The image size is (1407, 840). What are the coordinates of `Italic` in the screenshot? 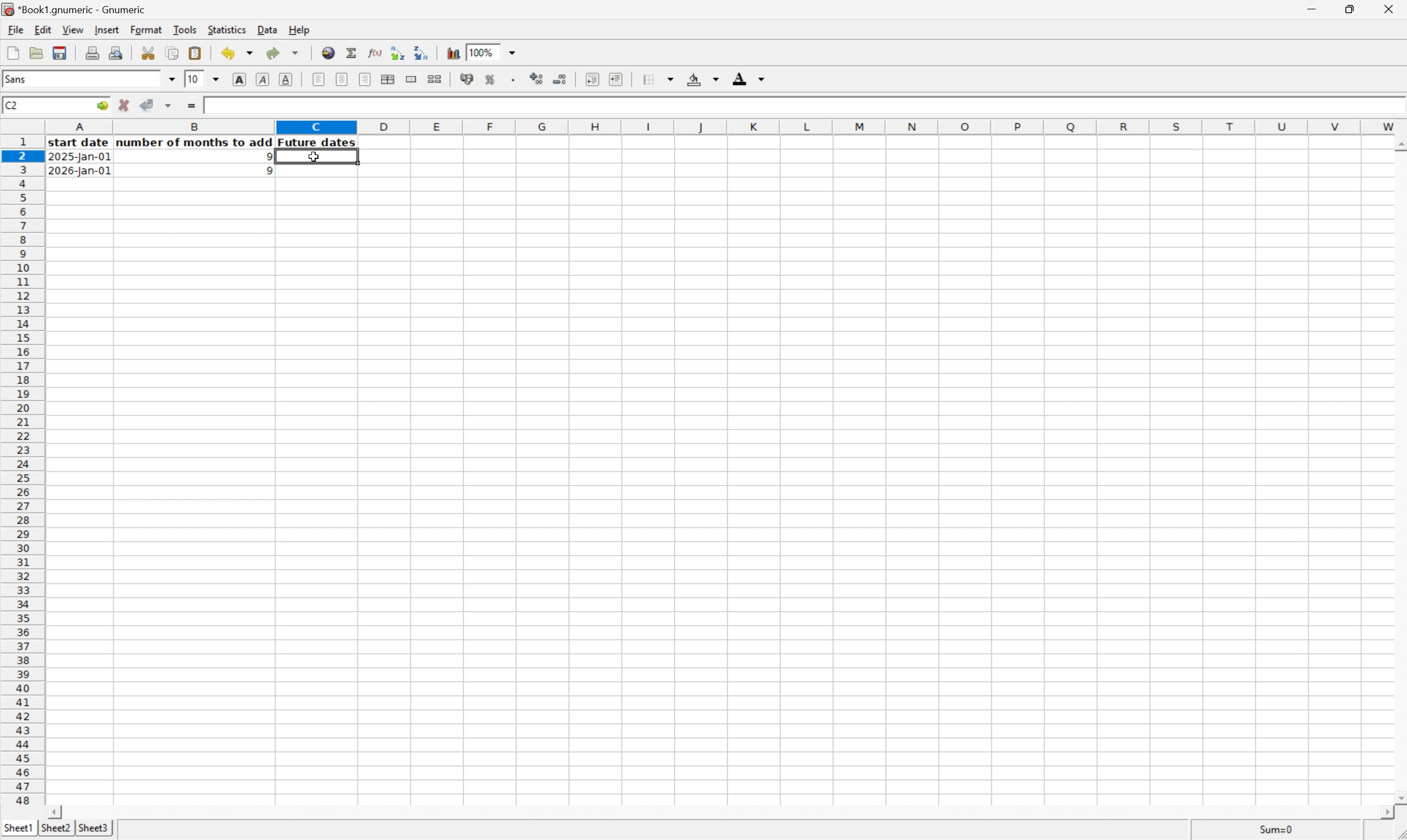 It's located at (263, 79).